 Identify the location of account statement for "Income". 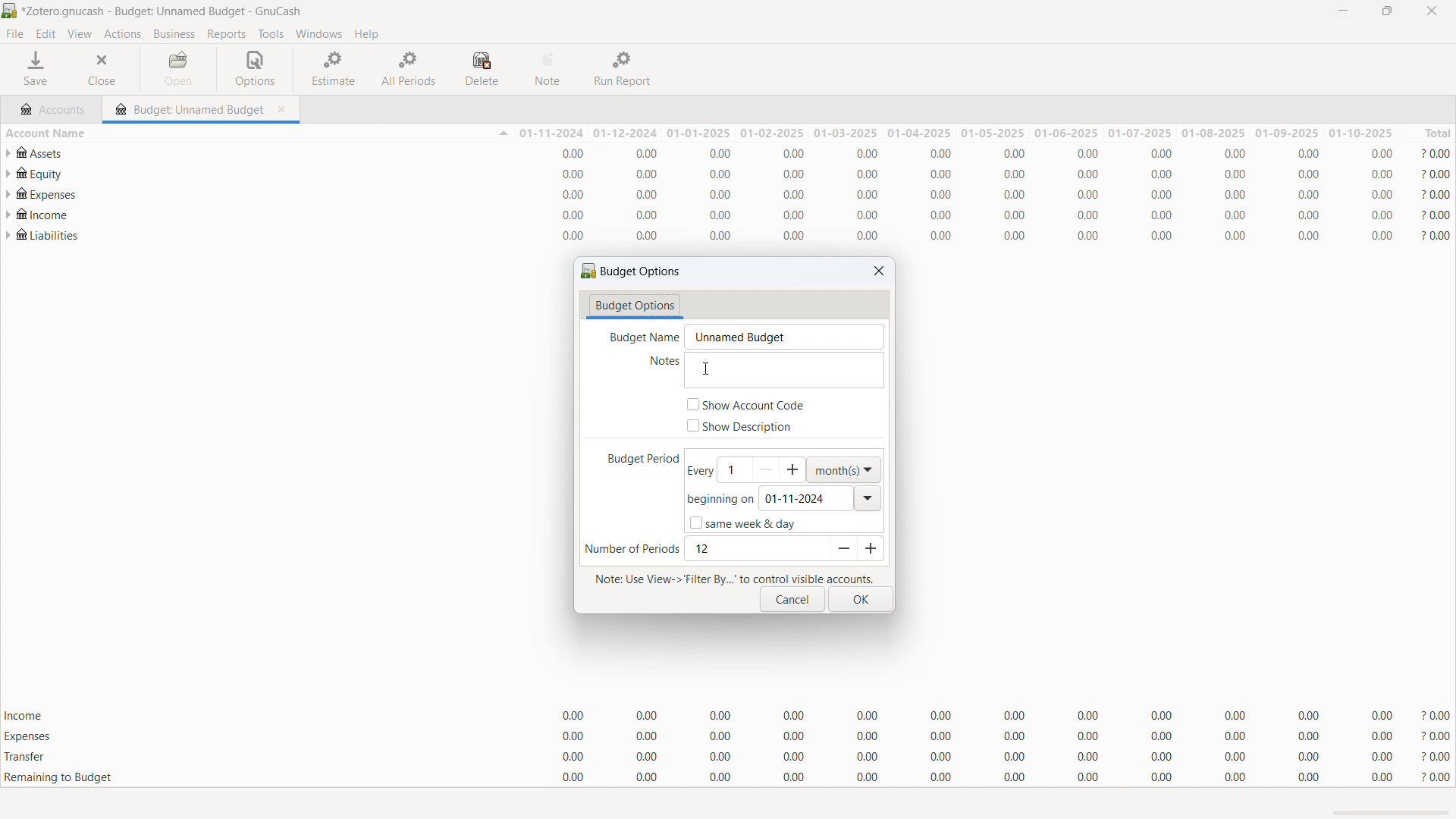
(738, 214).